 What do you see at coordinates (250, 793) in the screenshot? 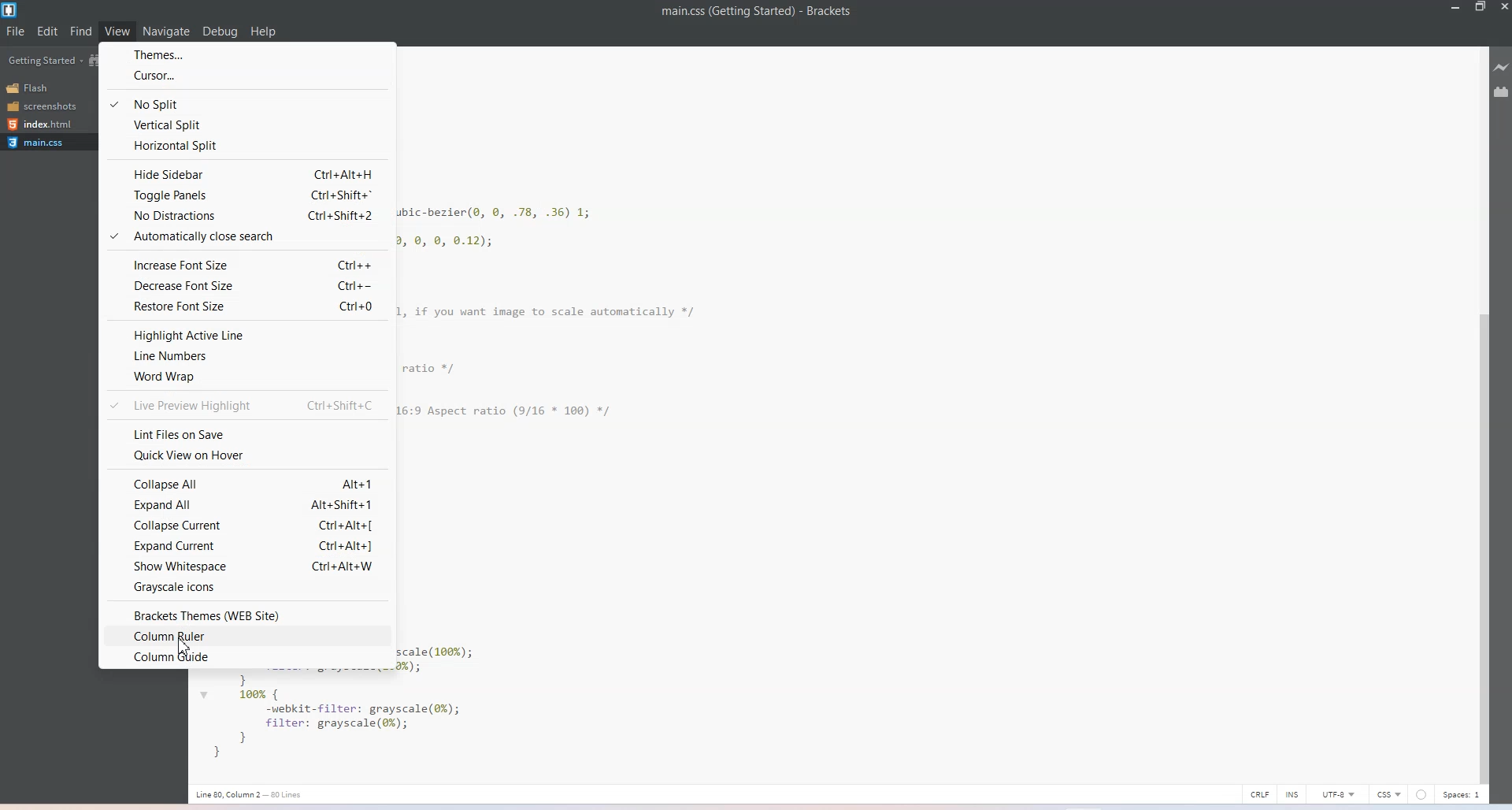
I see `line number` at bounding box center [250, 793].